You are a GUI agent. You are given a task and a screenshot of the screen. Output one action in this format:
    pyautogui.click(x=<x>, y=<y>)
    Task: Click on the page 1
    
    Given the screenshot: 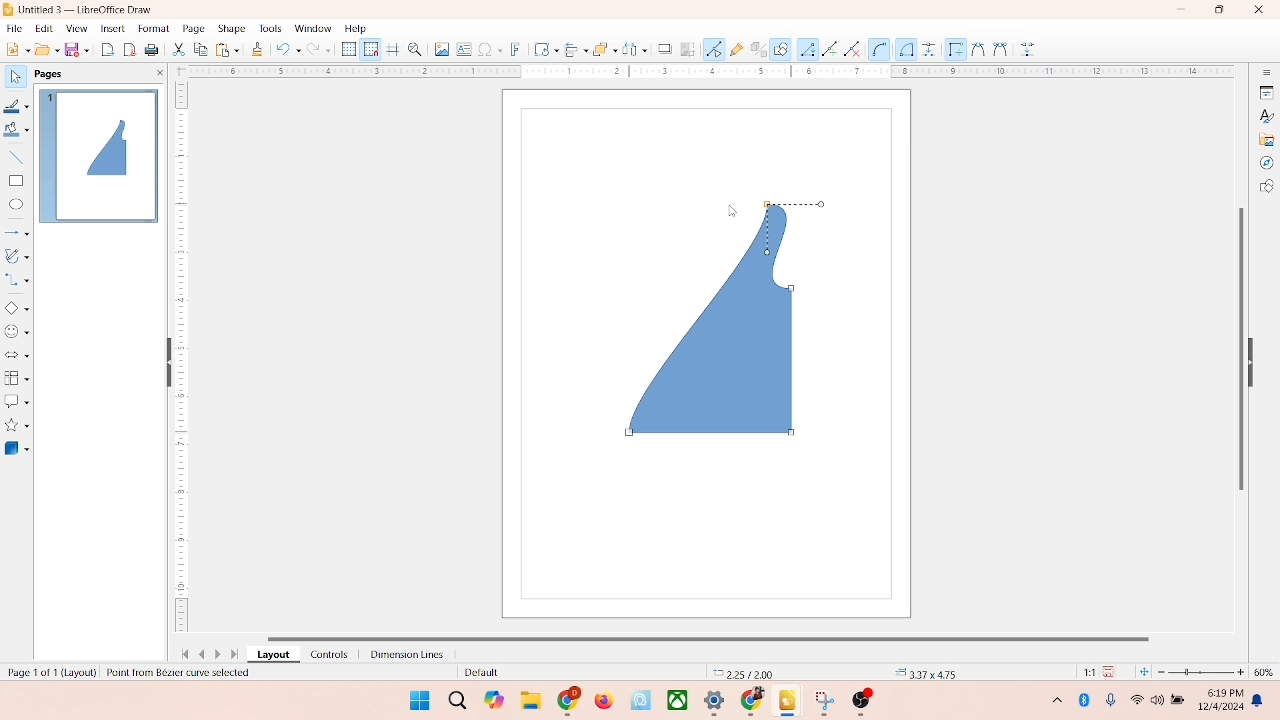 What is the action you would take?
    pyautogui.click(x=99, y=155)
    